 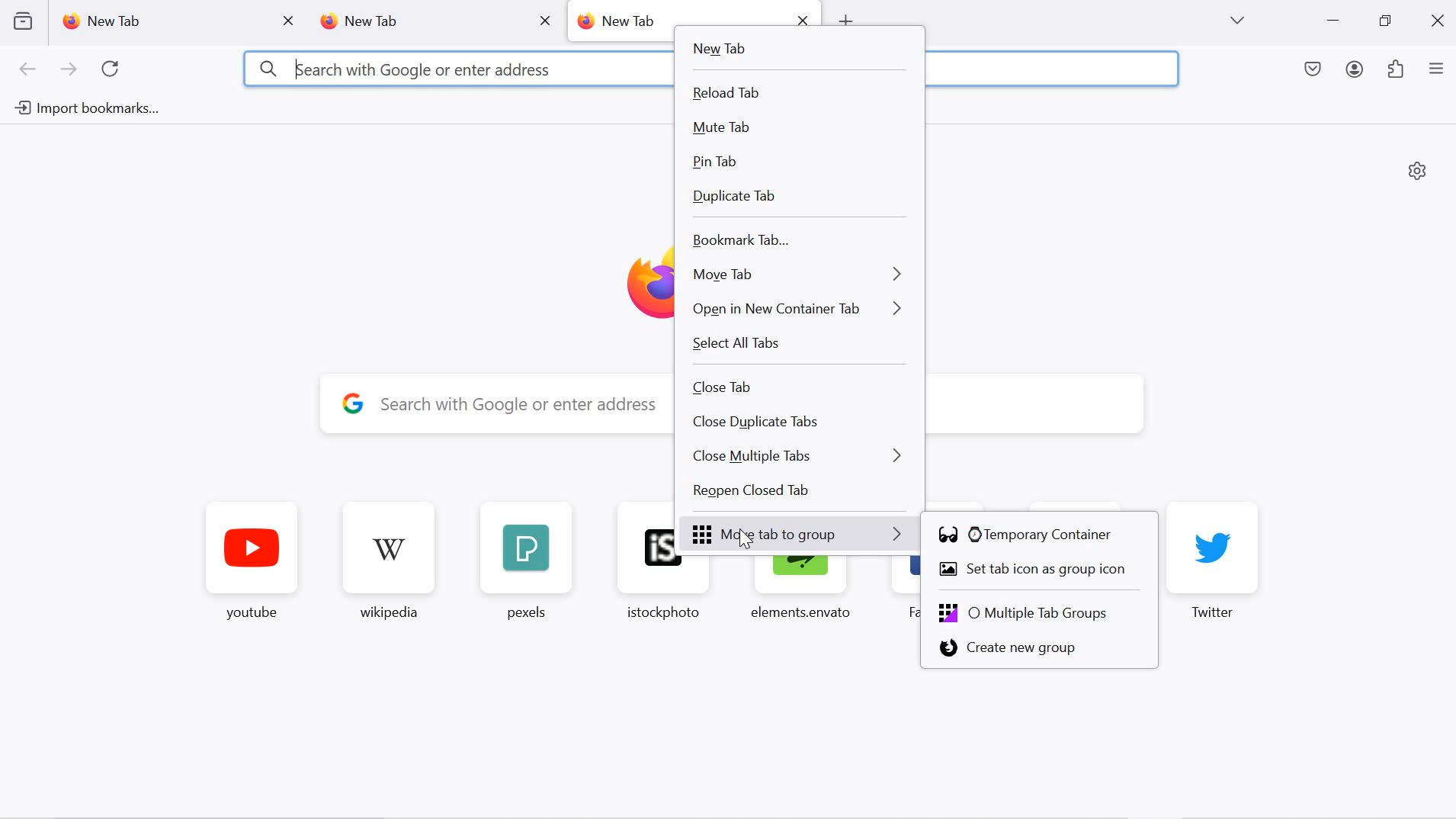 I want to click on wikipedia, so click(x=386, y=563).